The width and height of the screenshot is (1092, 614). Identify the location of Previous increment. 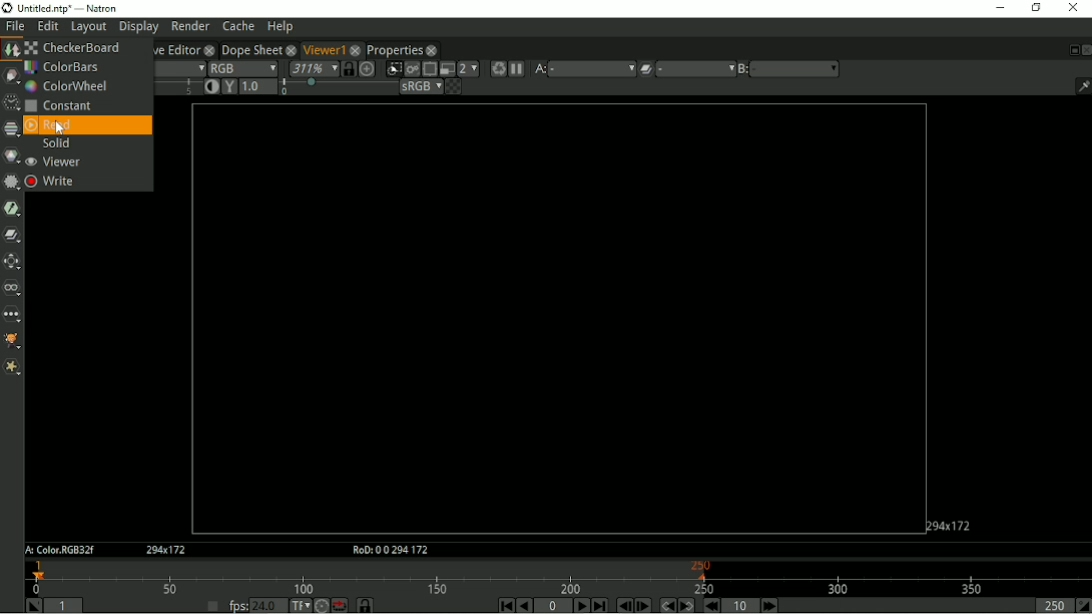
(713, 605).